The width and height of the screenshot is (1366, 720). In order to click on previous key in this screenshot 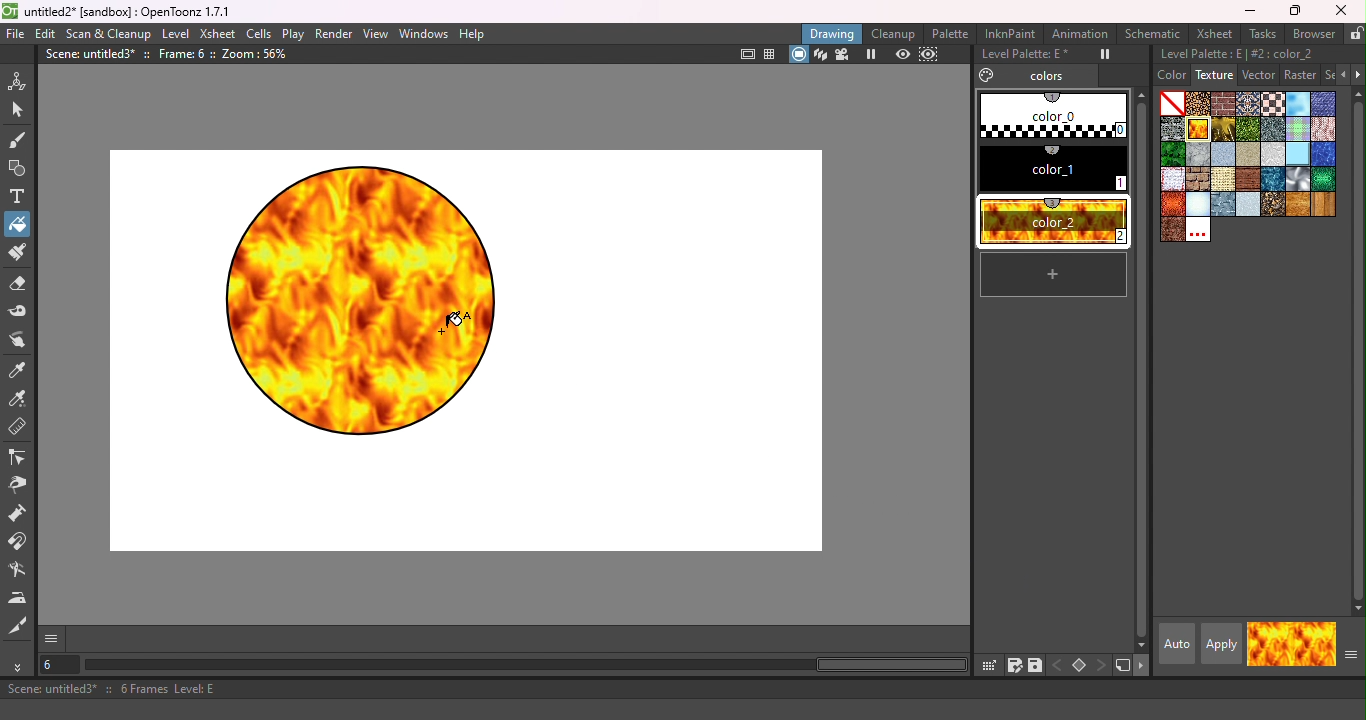, I will do `click(1058, 663)`.